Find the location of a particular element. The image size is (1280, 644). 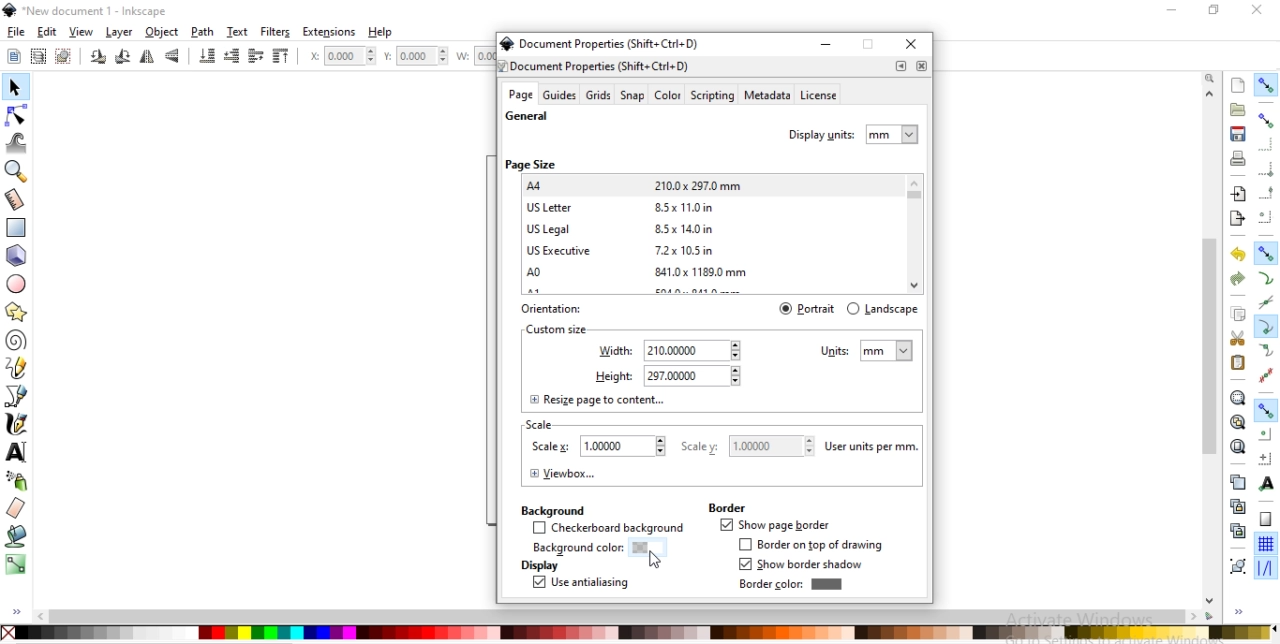

snap other points is located at coordinates (1266, 410).